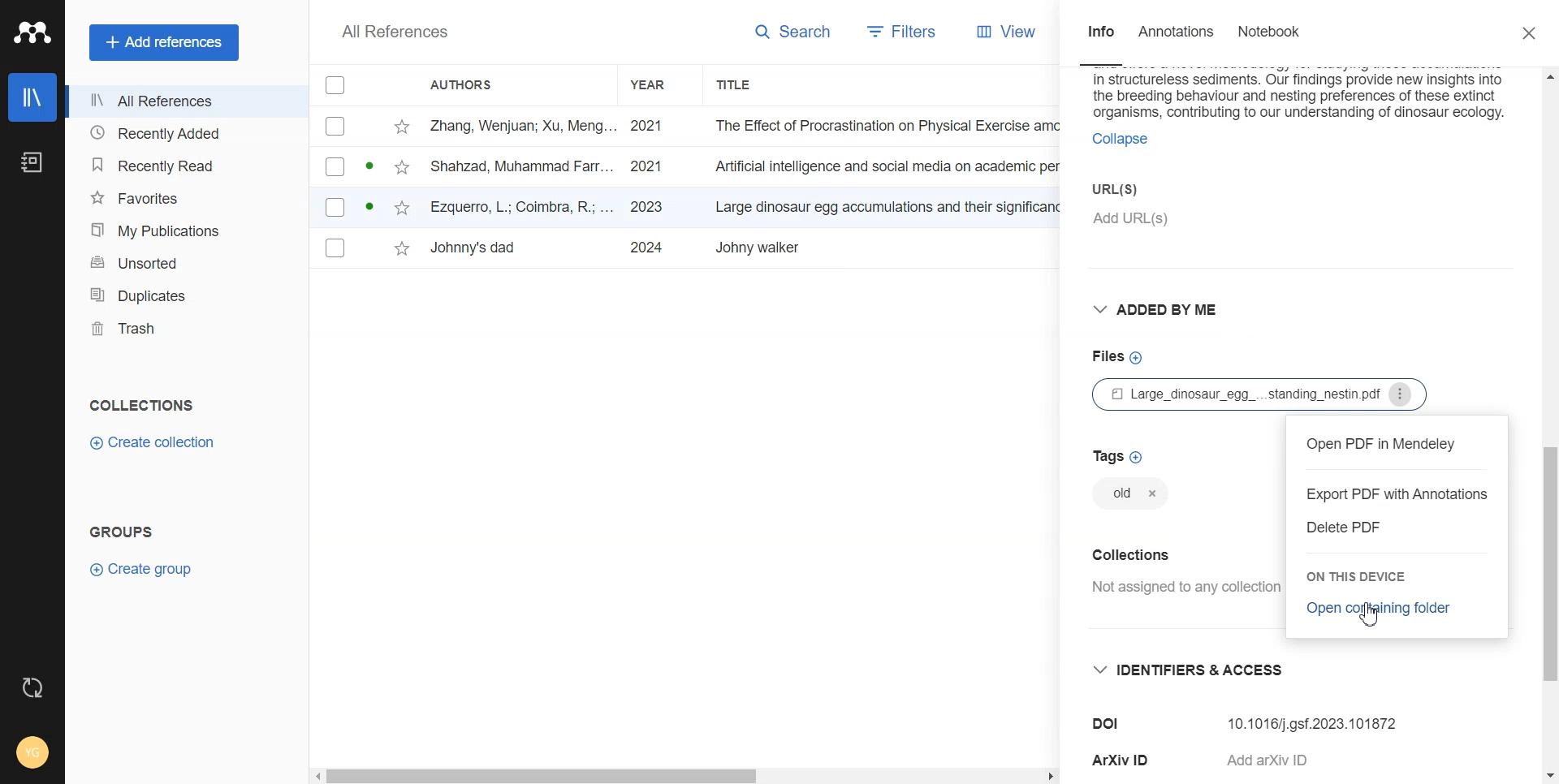  I want to click on Cursor, so click(1372, 614).